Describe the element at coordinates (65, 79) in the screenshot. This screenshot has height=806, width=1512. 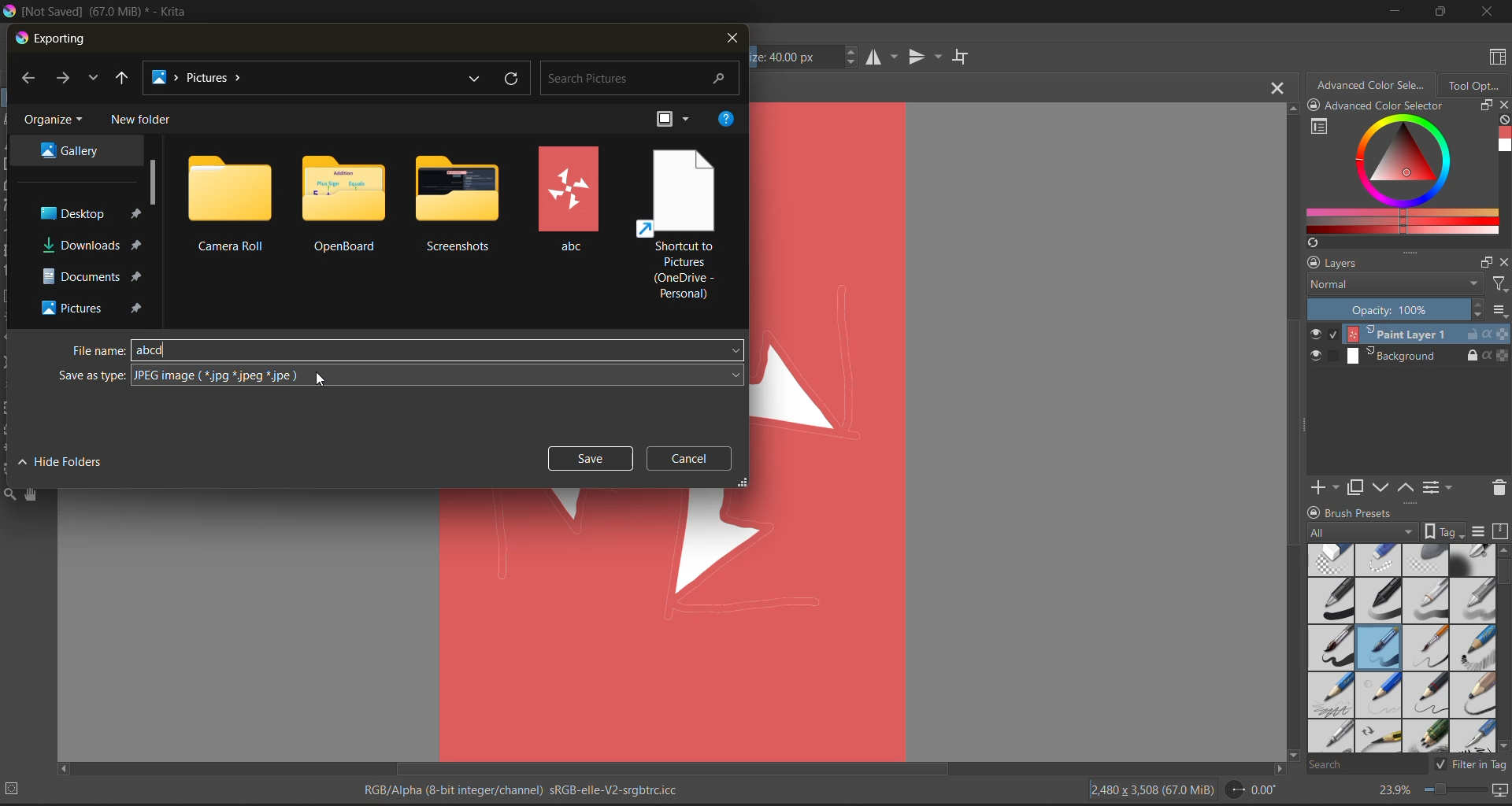
I see `next` at that location.